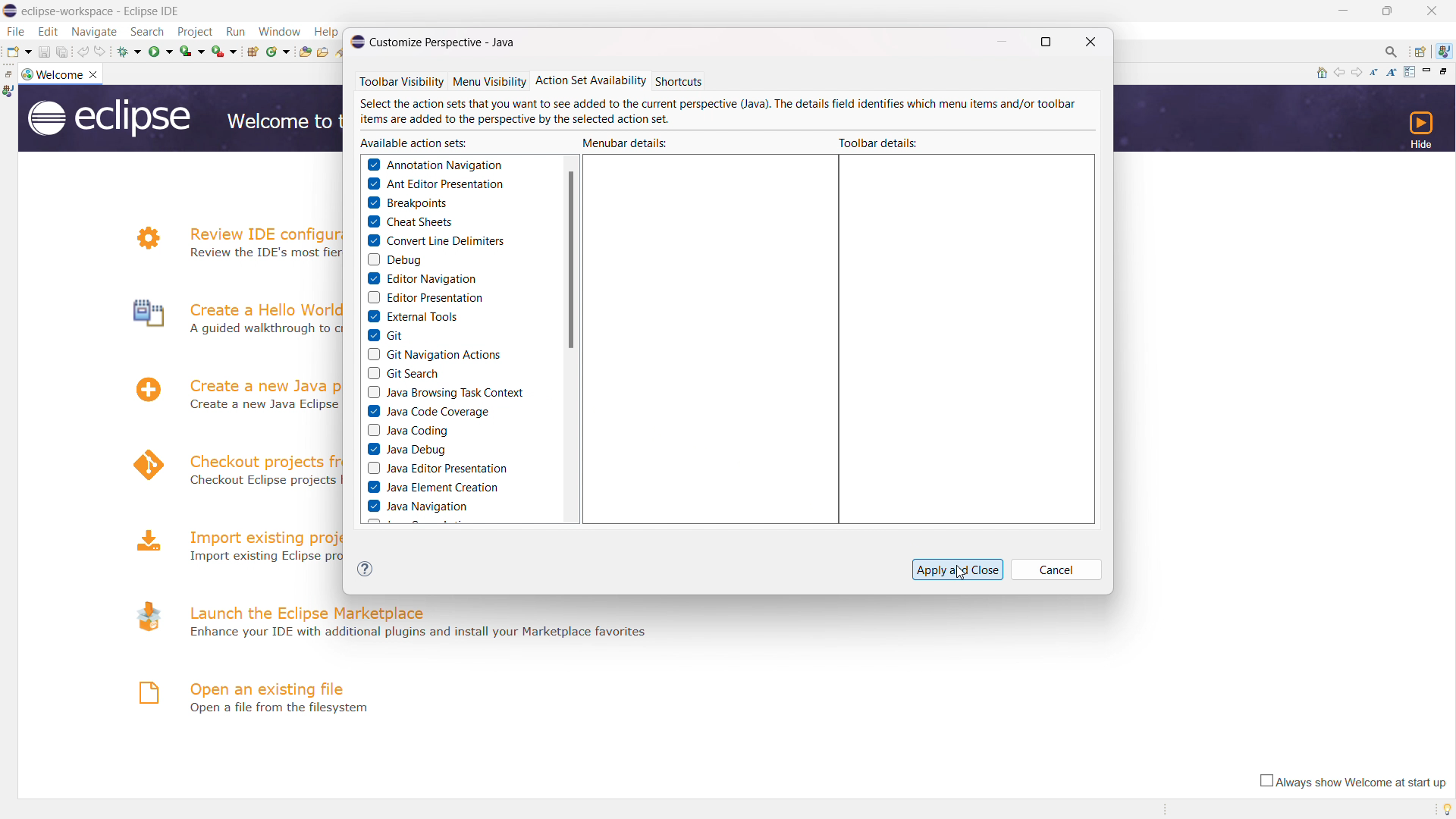 The height and width of the screenshot is (819, 1456). Describe the element at coordinates (385, 334) in the screenshot. I see `git` at that location.